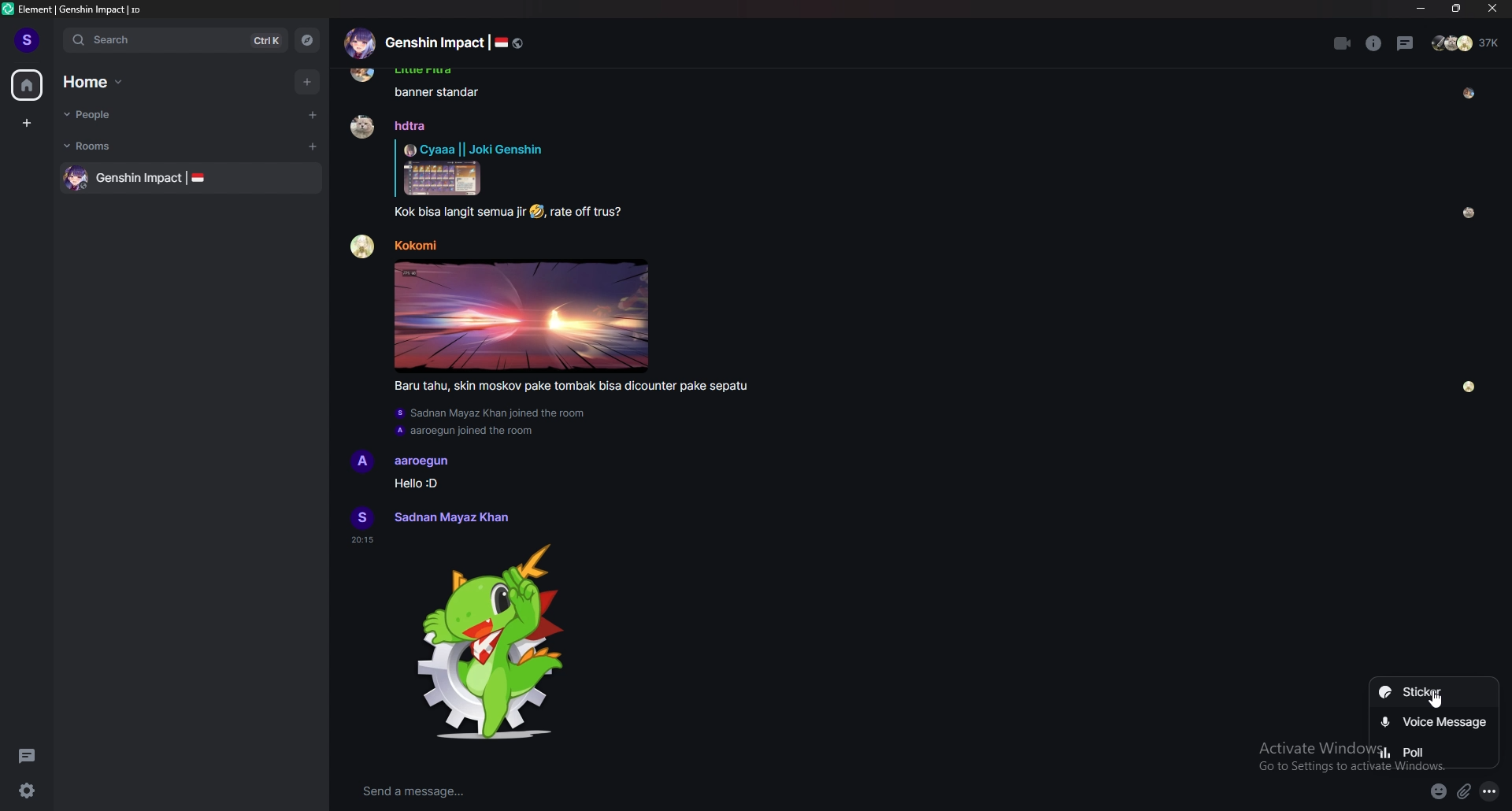  I want to click on Image sent by group participant, so click(521, 316).